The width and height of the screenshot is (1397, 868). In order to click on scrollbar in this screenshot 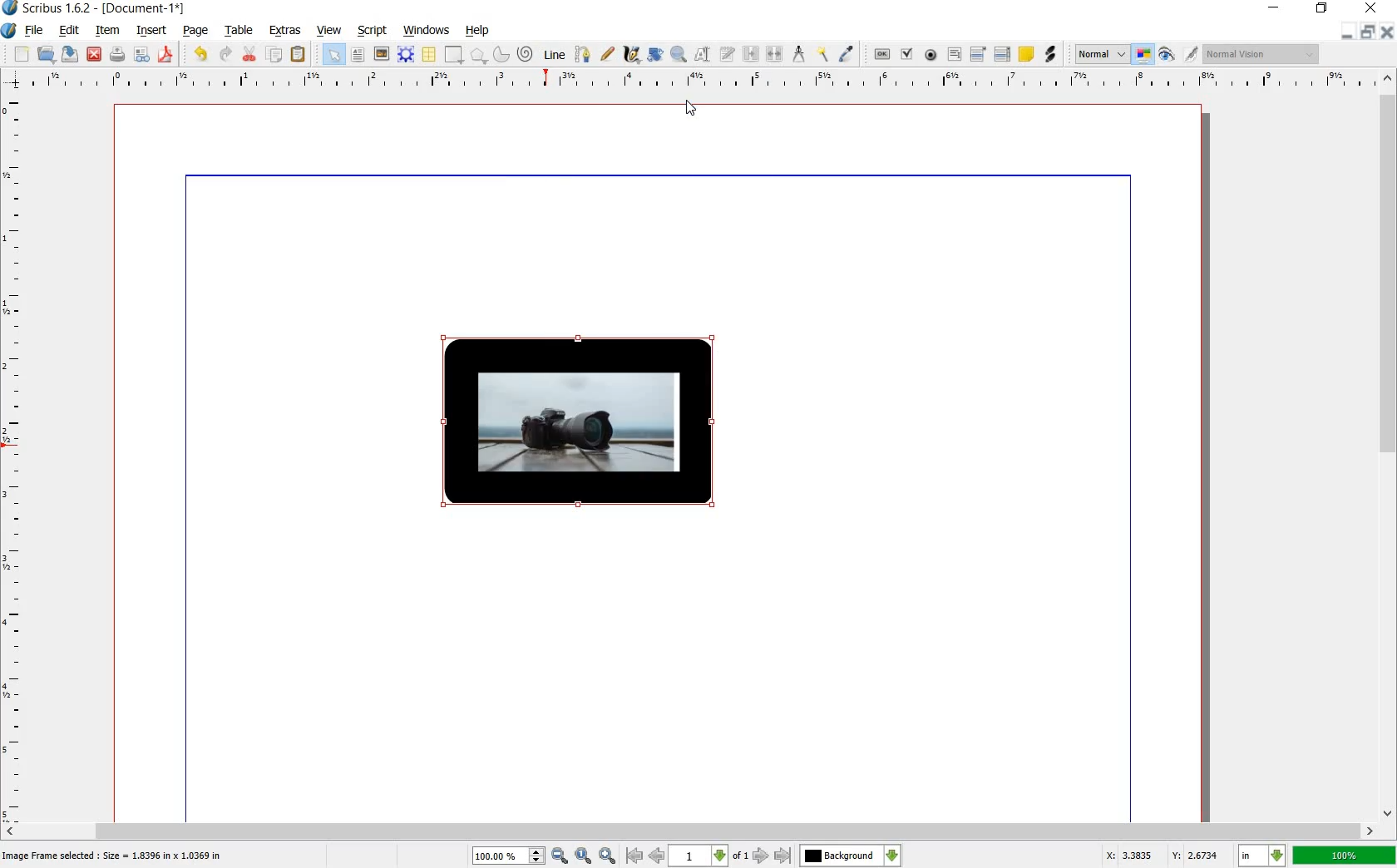, I will do `click(1389, 447)`.